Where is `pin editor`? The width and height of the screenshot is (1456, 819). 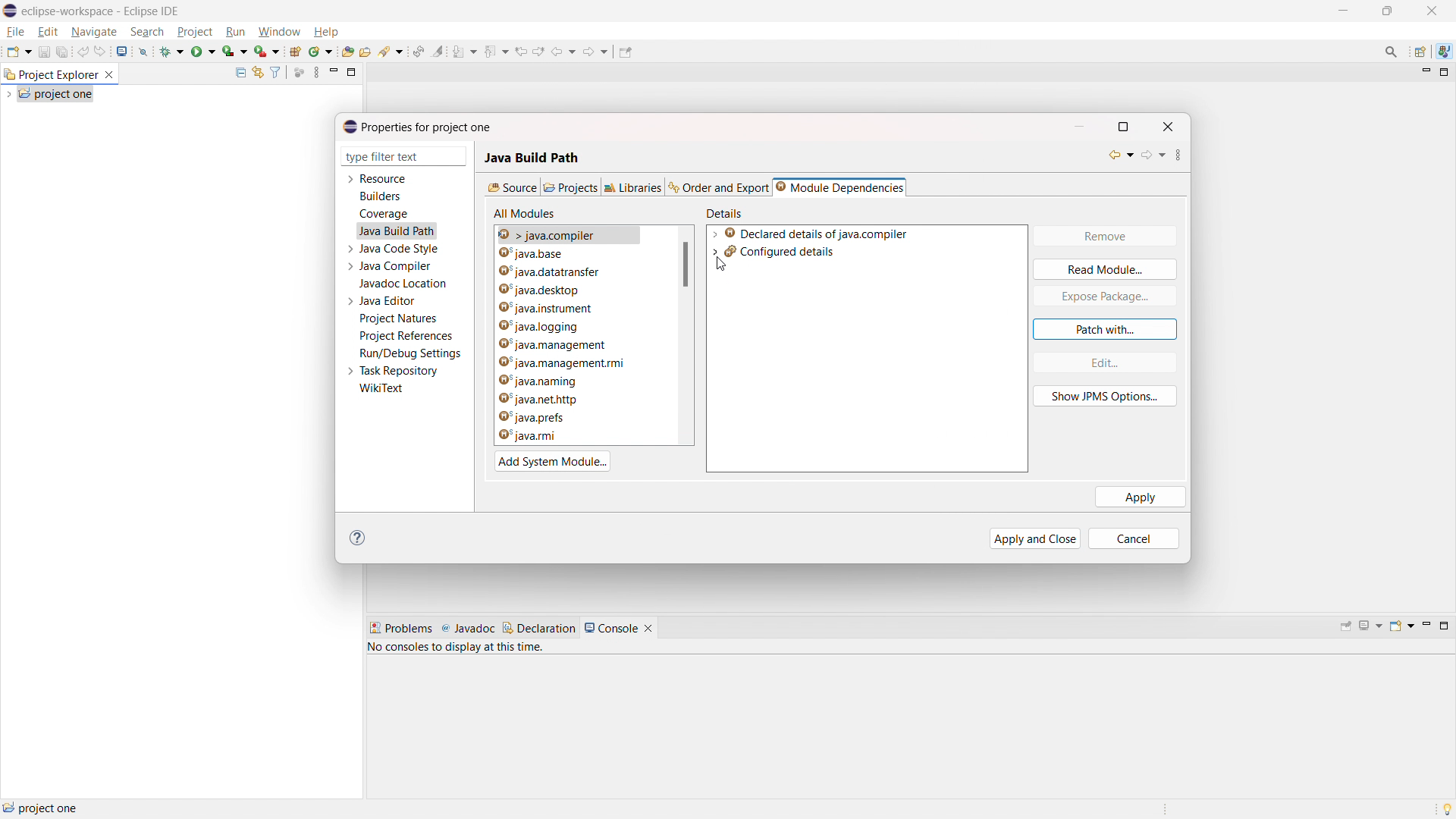 pin editor is located at coordinates (626, 52).